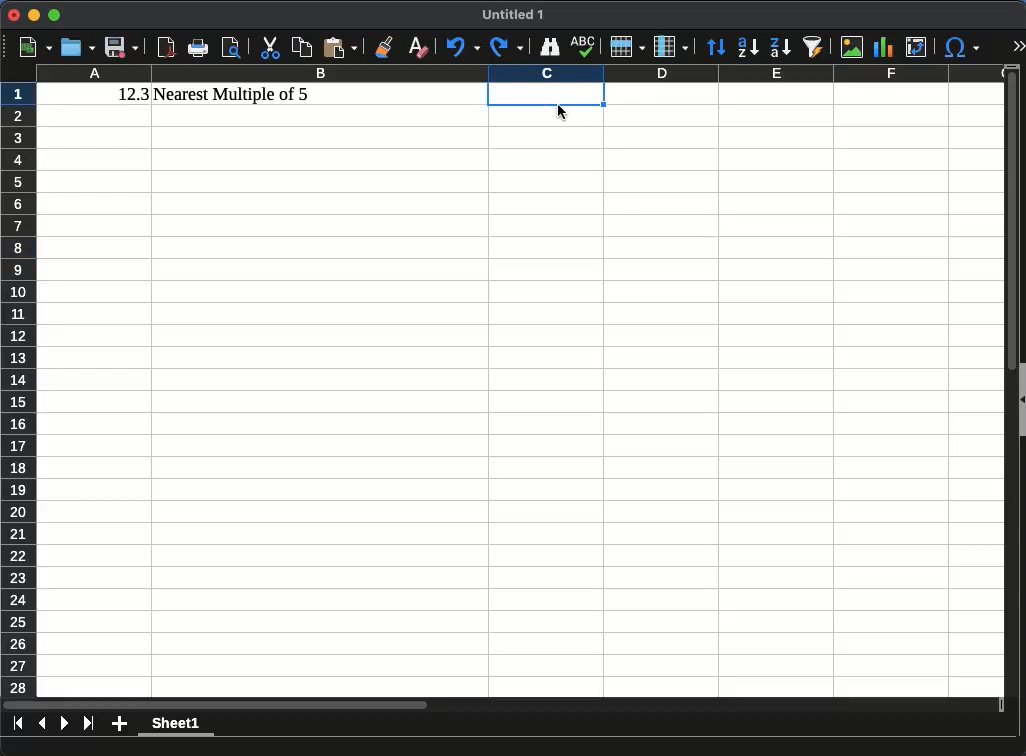 The height and width of the screenshot is (756, 1026). What do you see at coordinates (812, 46) in the screenshot?
I see `autofilter` at bounding box center [812, 46].